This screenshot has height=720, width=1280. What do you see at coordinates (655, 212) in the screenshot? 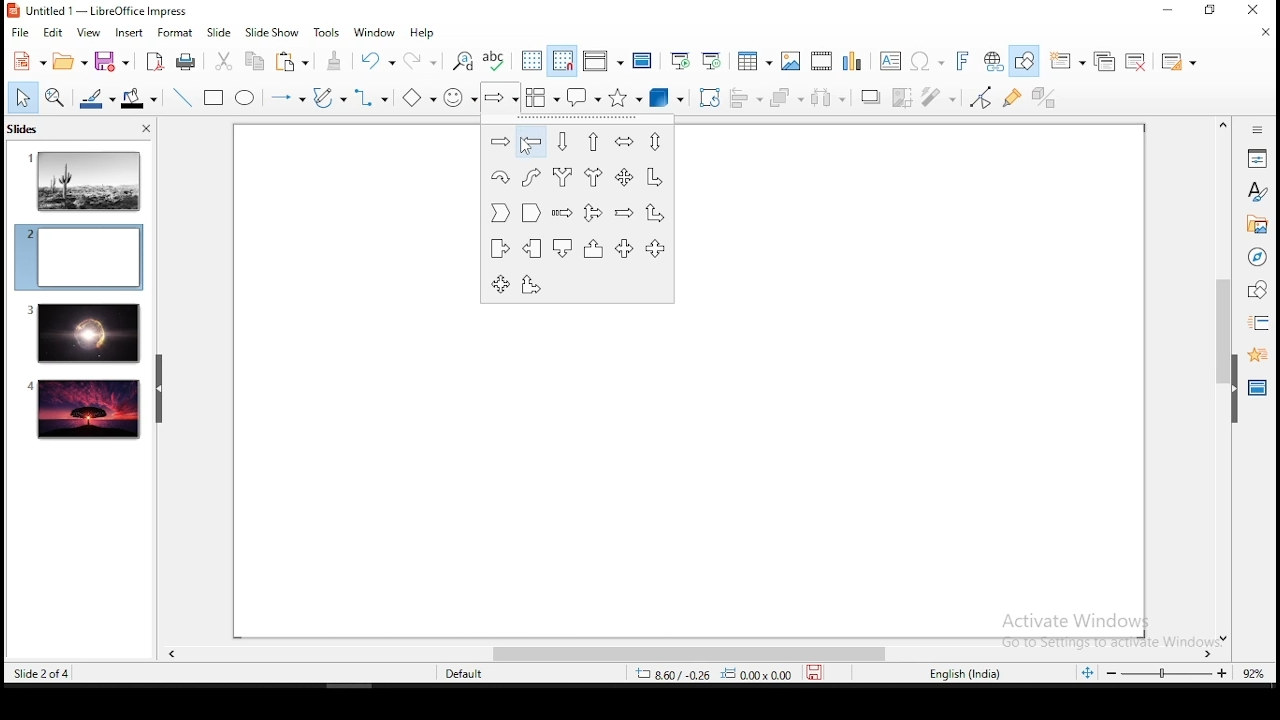
I see `up and right arrow` at bounding box center [655, 212].